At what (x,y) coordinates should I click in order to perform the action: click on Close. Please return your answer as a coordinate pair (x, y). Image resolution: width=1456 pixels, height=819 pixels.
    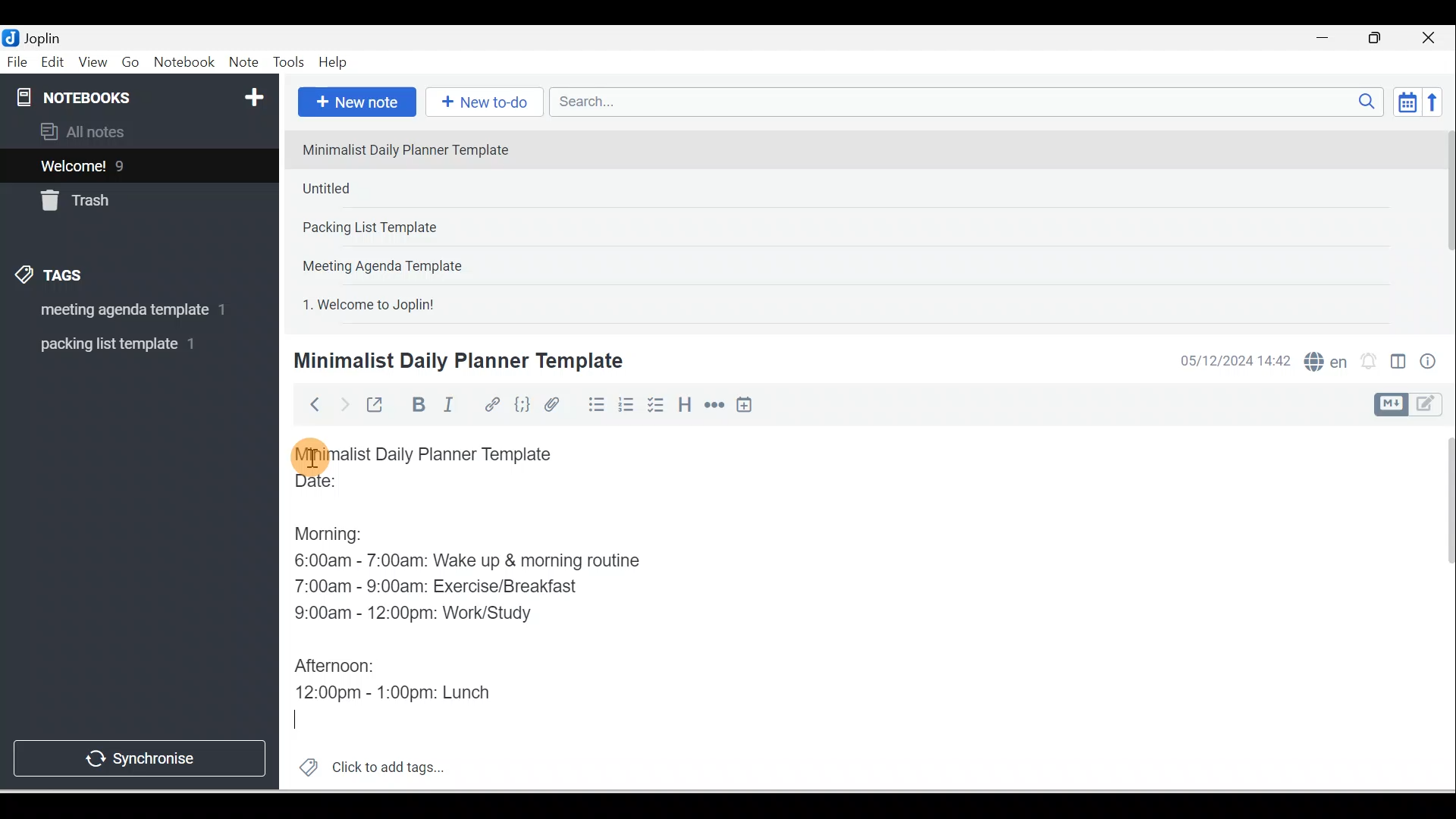
    Looking at the image, I should click on (1432, 38).